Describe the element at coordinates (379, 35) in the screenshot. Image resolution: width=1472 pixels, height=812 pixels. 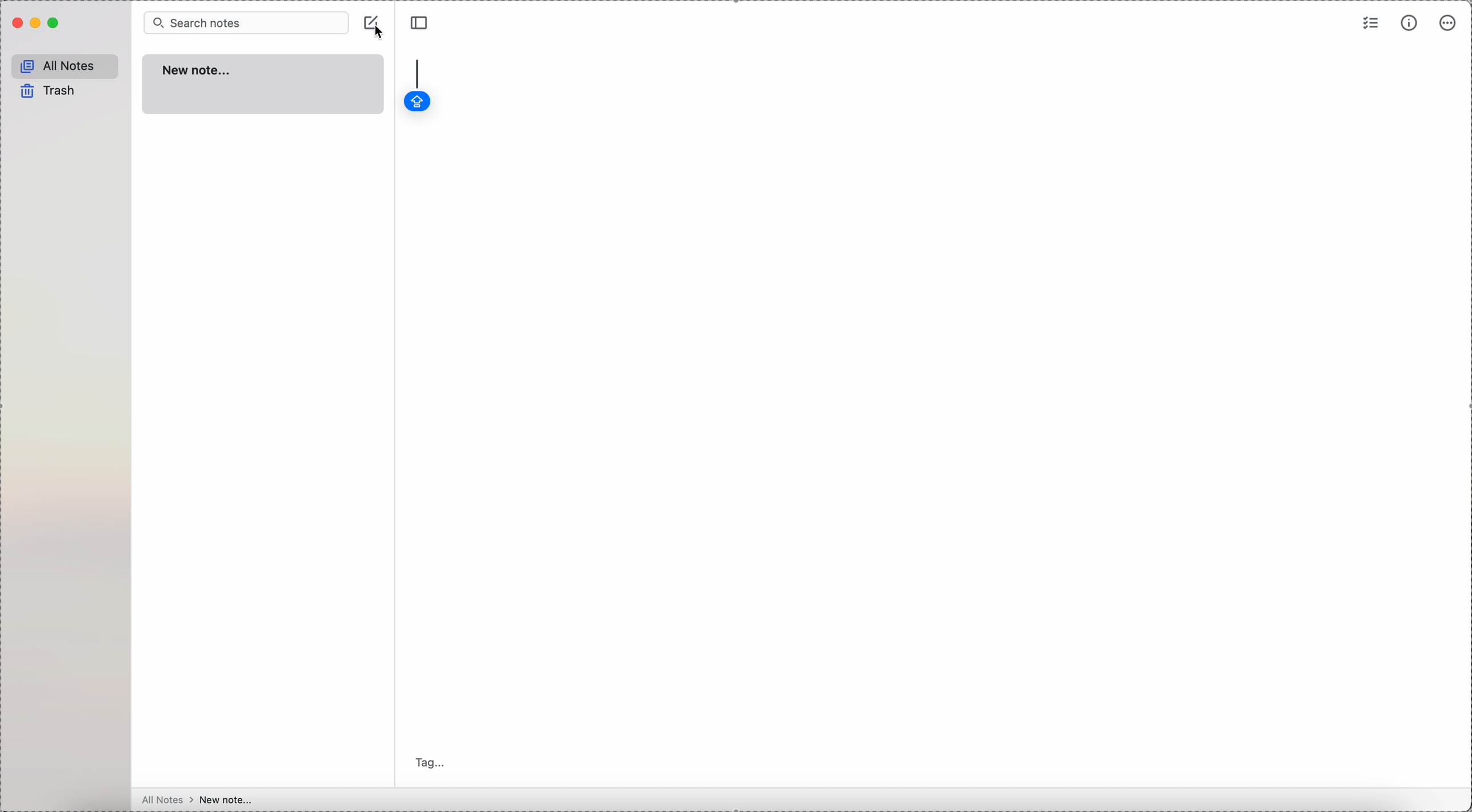
I see `cursor` at that location.